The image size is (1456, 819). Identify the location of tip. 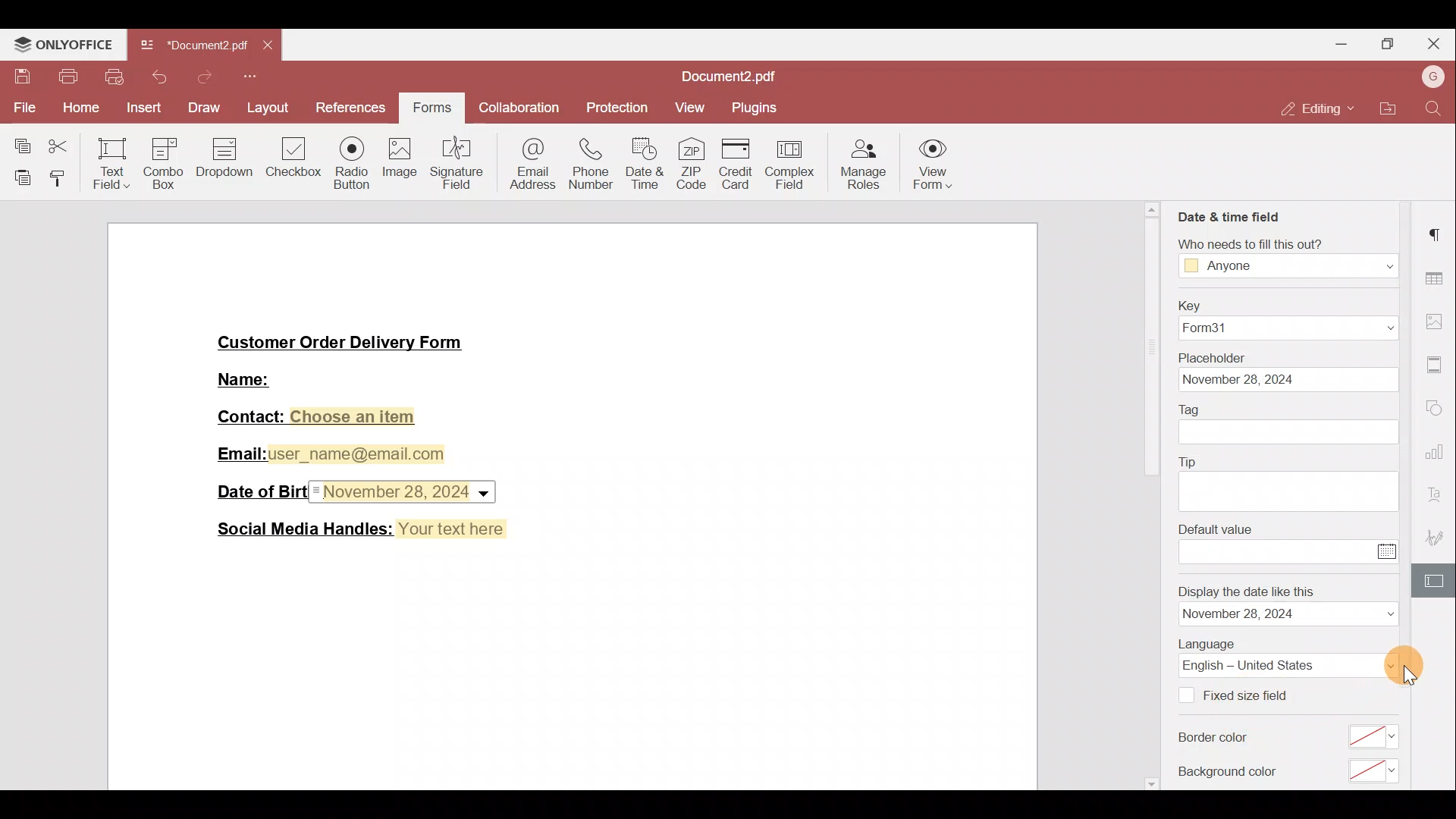
(1290, 493).